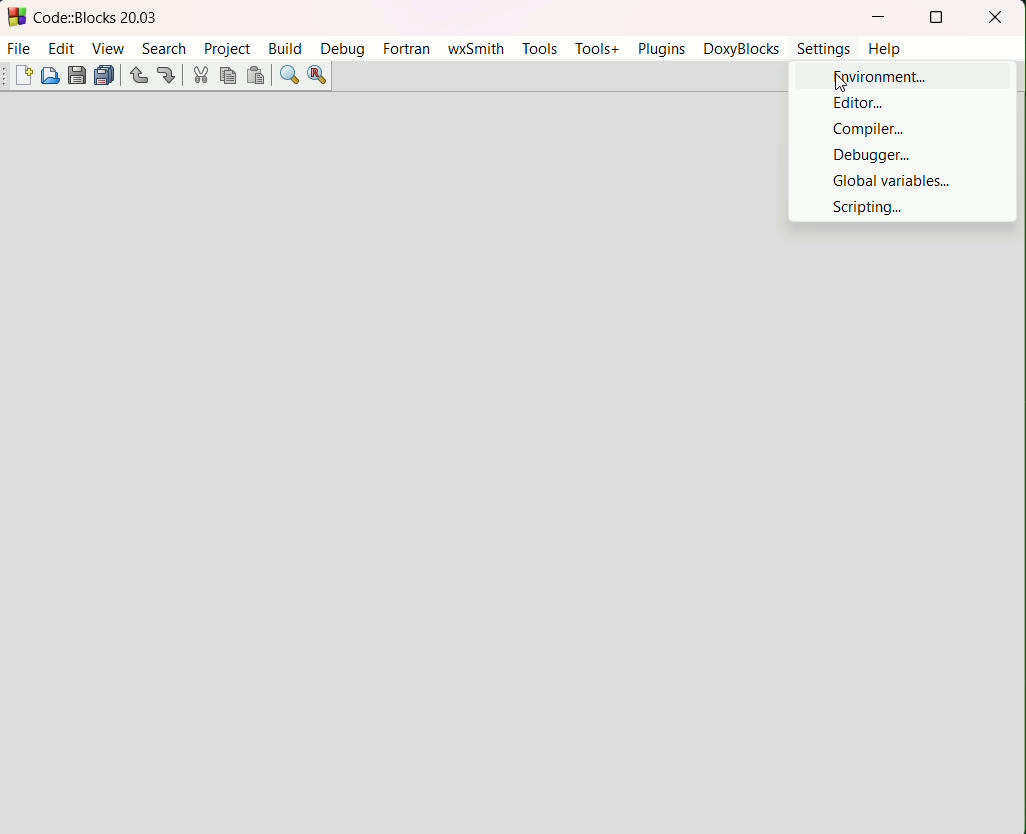 The height and width of the screenshot is (834, 1026). I want to click on tools, so click(539, 49).